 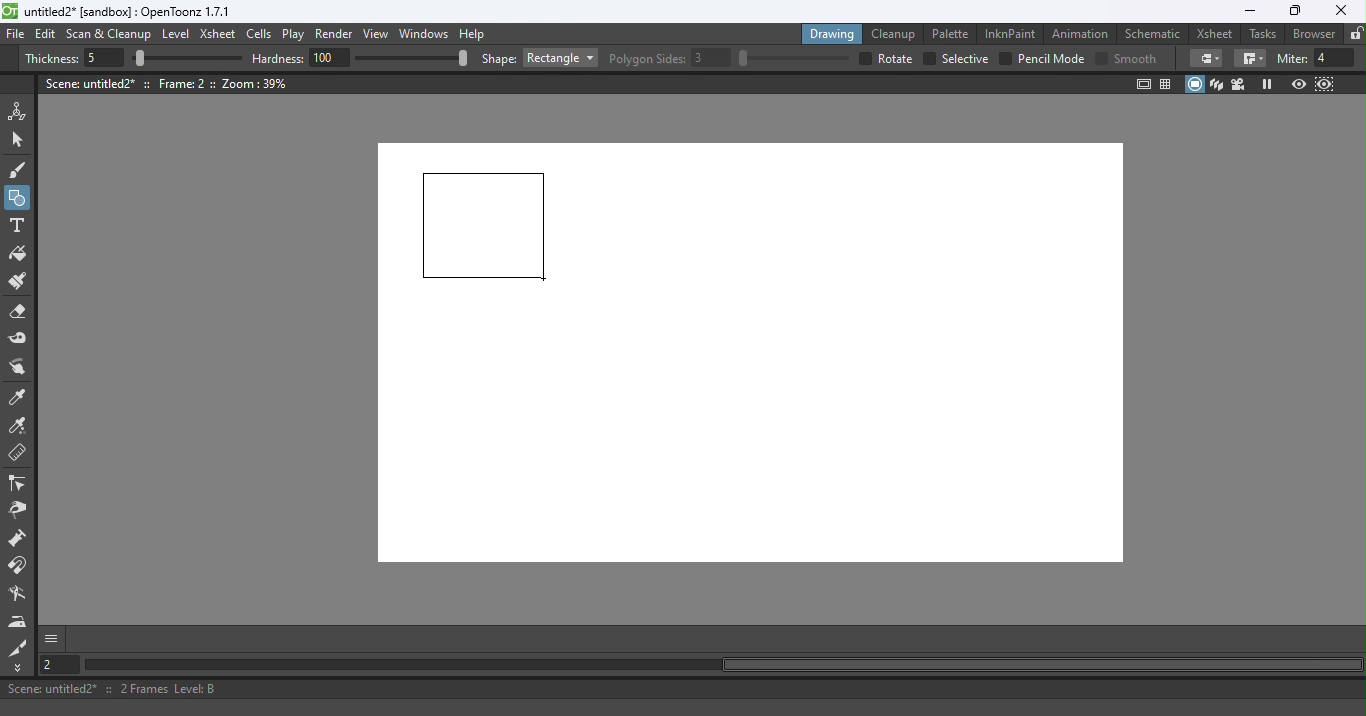 What do you see at coordinates (411, 57) in the screenshot?
I see `slider` at bounding box center [411, 57].